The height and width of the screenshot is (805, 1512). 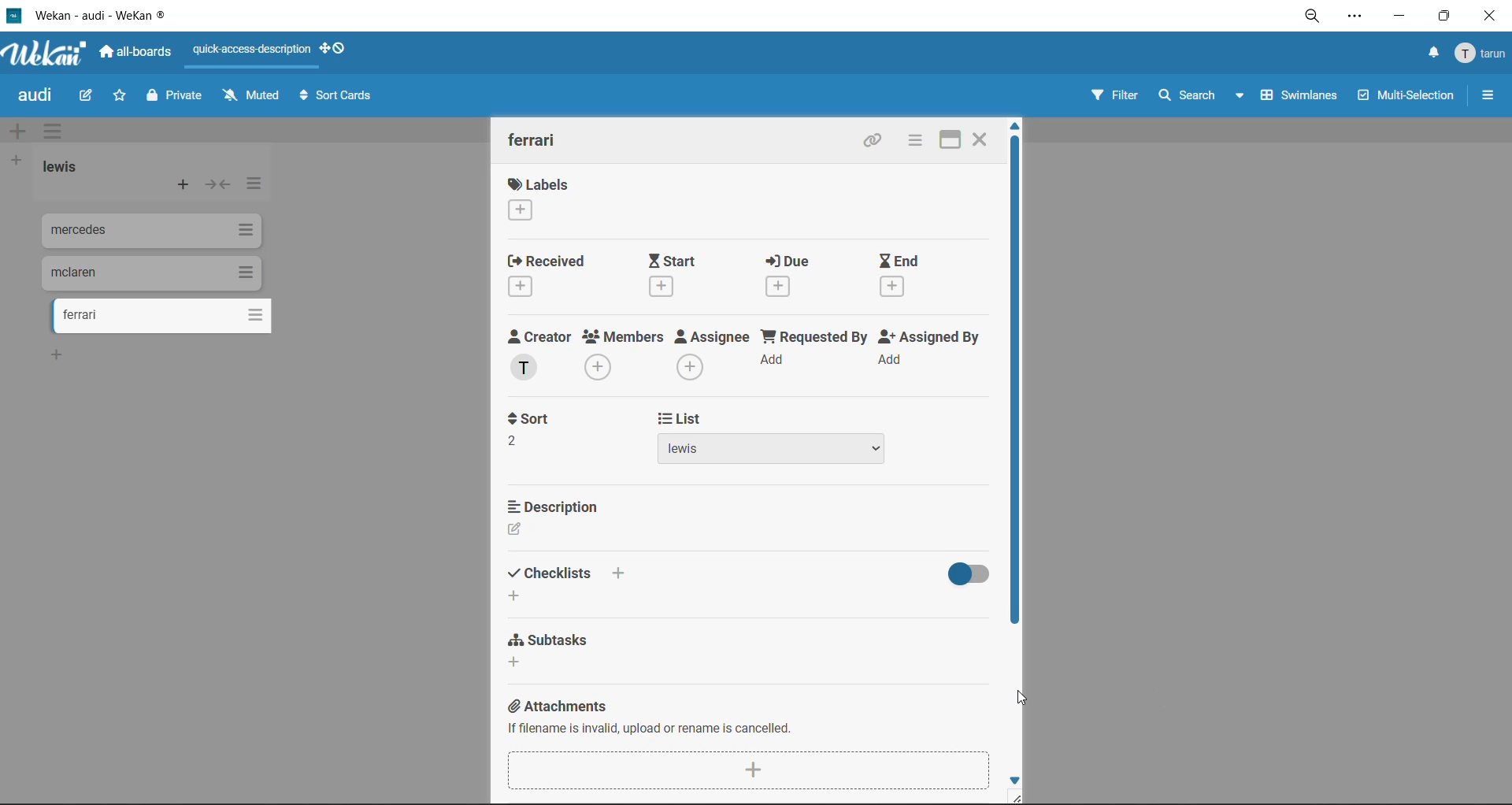 I want to click on collapse, so click(x=217, y=187).